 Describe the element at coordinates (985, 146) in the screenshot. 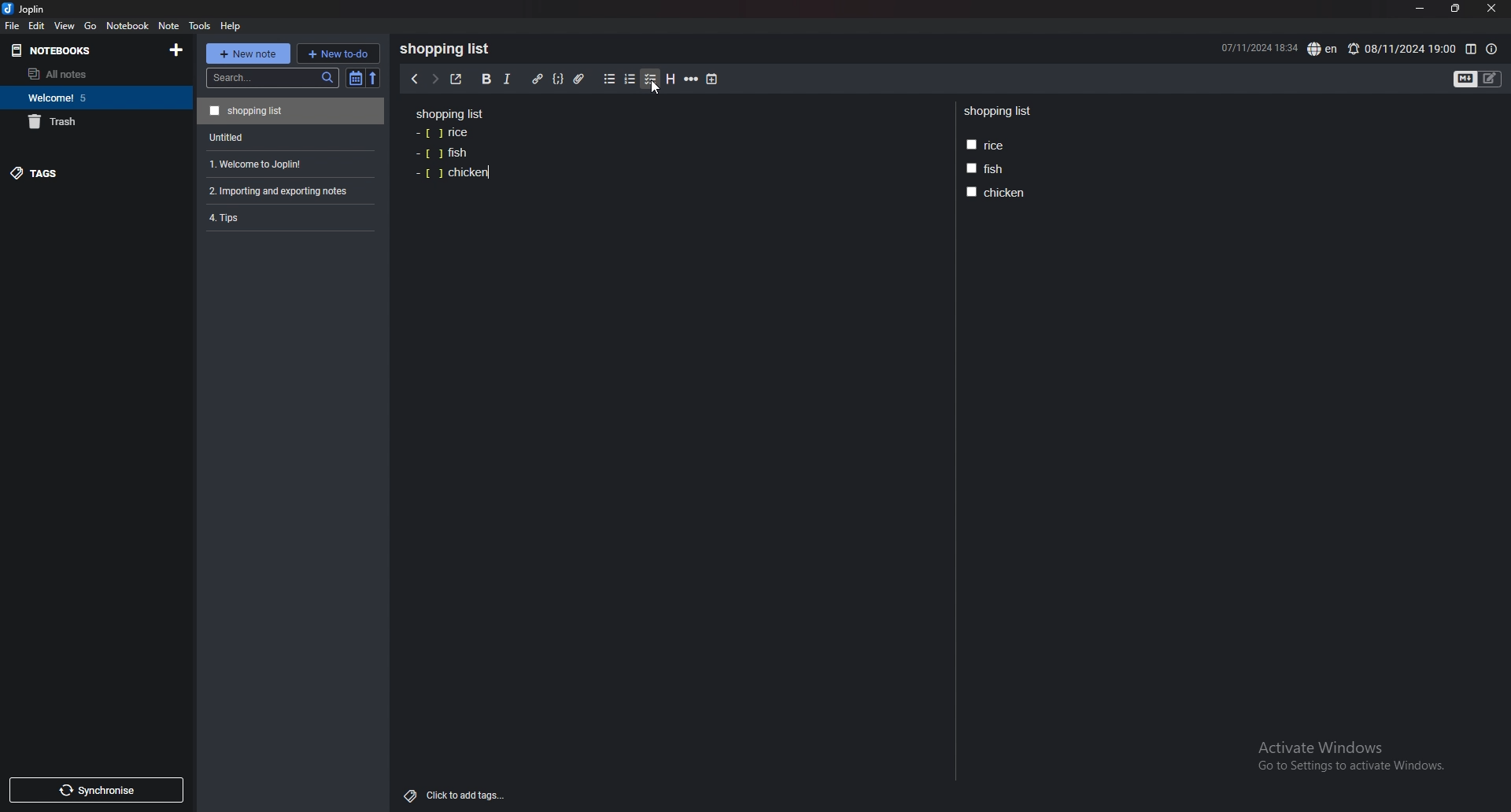

I see `rice` at that location.